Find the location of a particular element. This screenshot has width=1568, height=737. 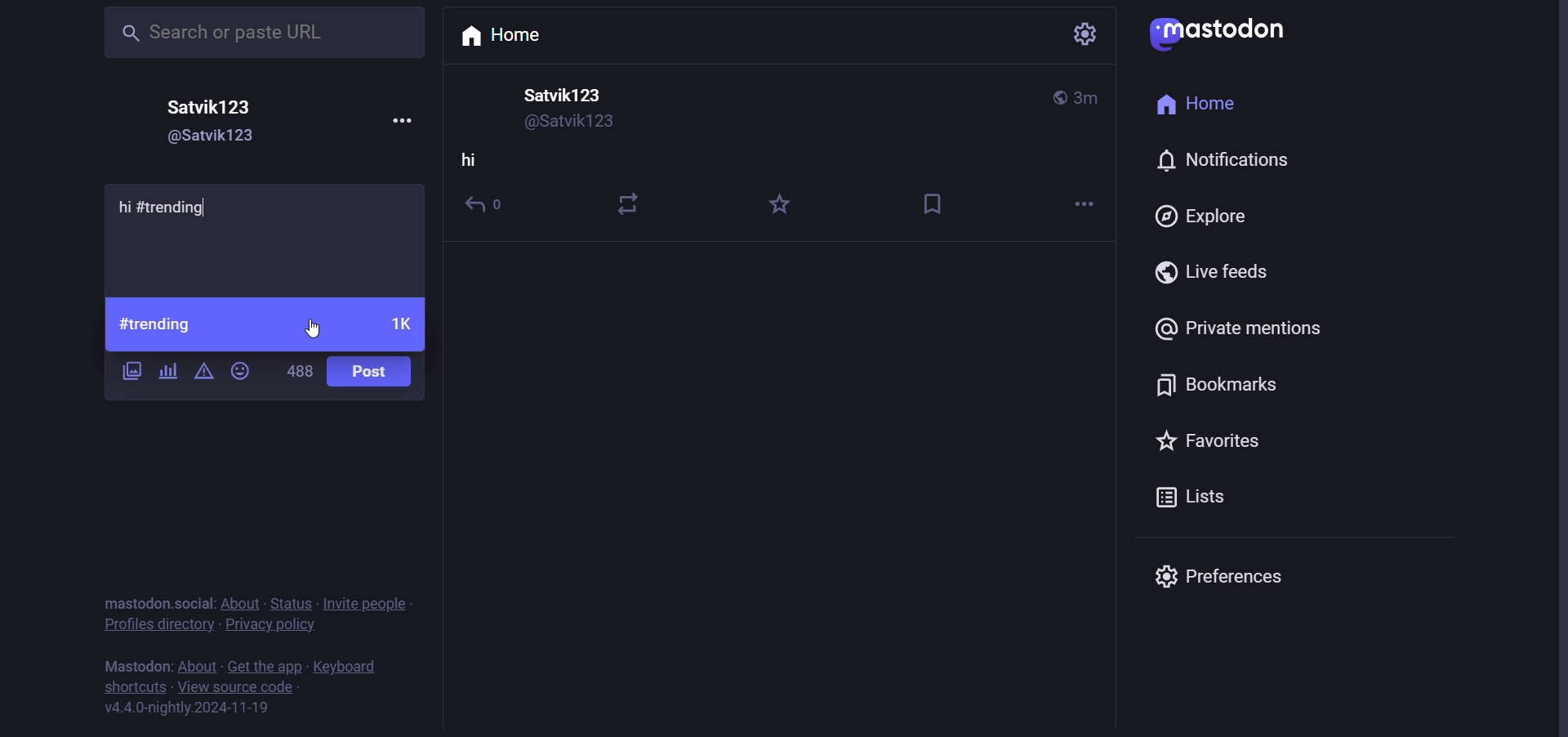

user is located at coordinates (568, 96).